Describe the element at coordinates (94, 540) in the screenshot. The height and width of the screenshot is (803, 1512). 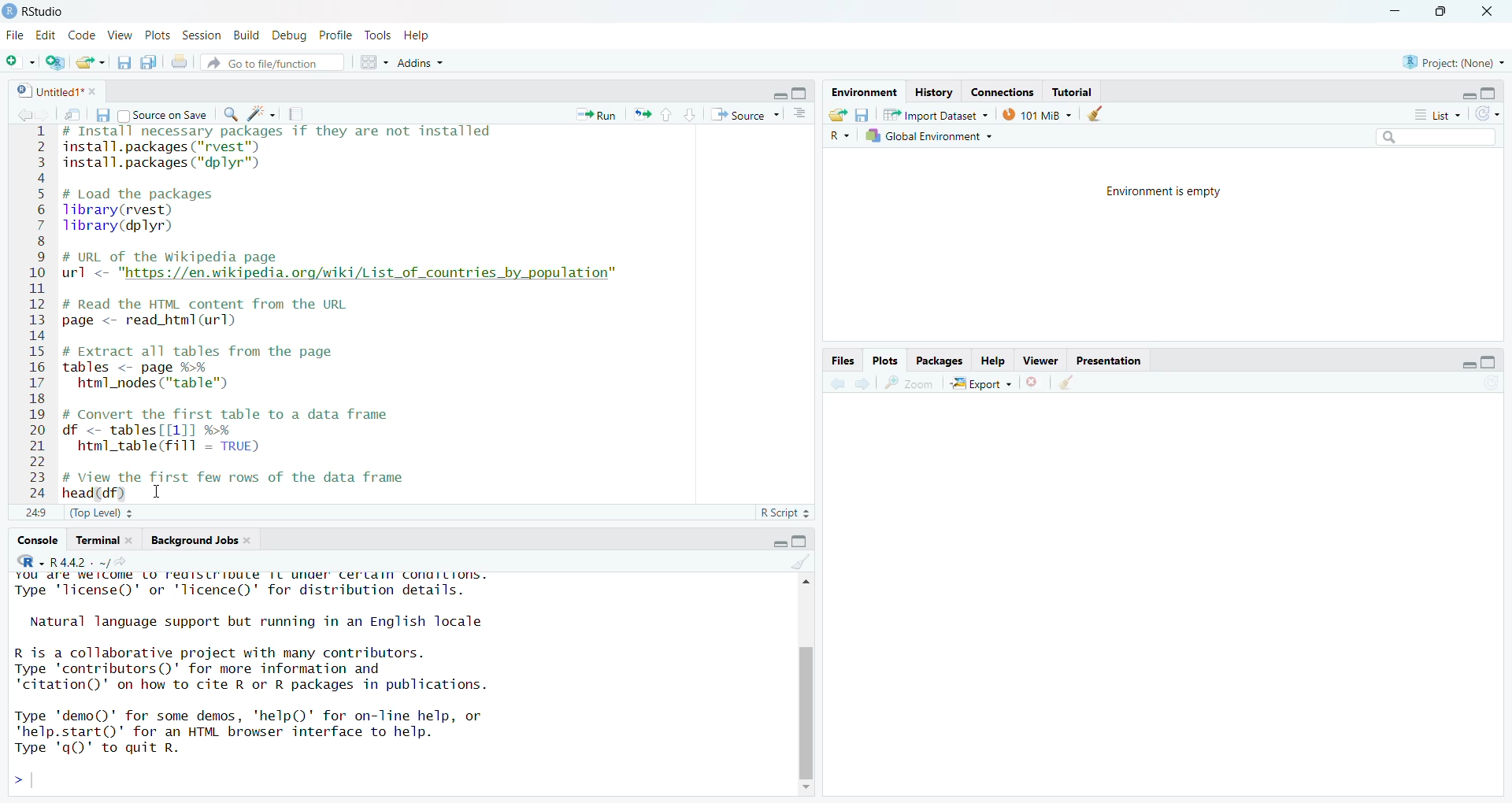
I see `Terminal` at that location.